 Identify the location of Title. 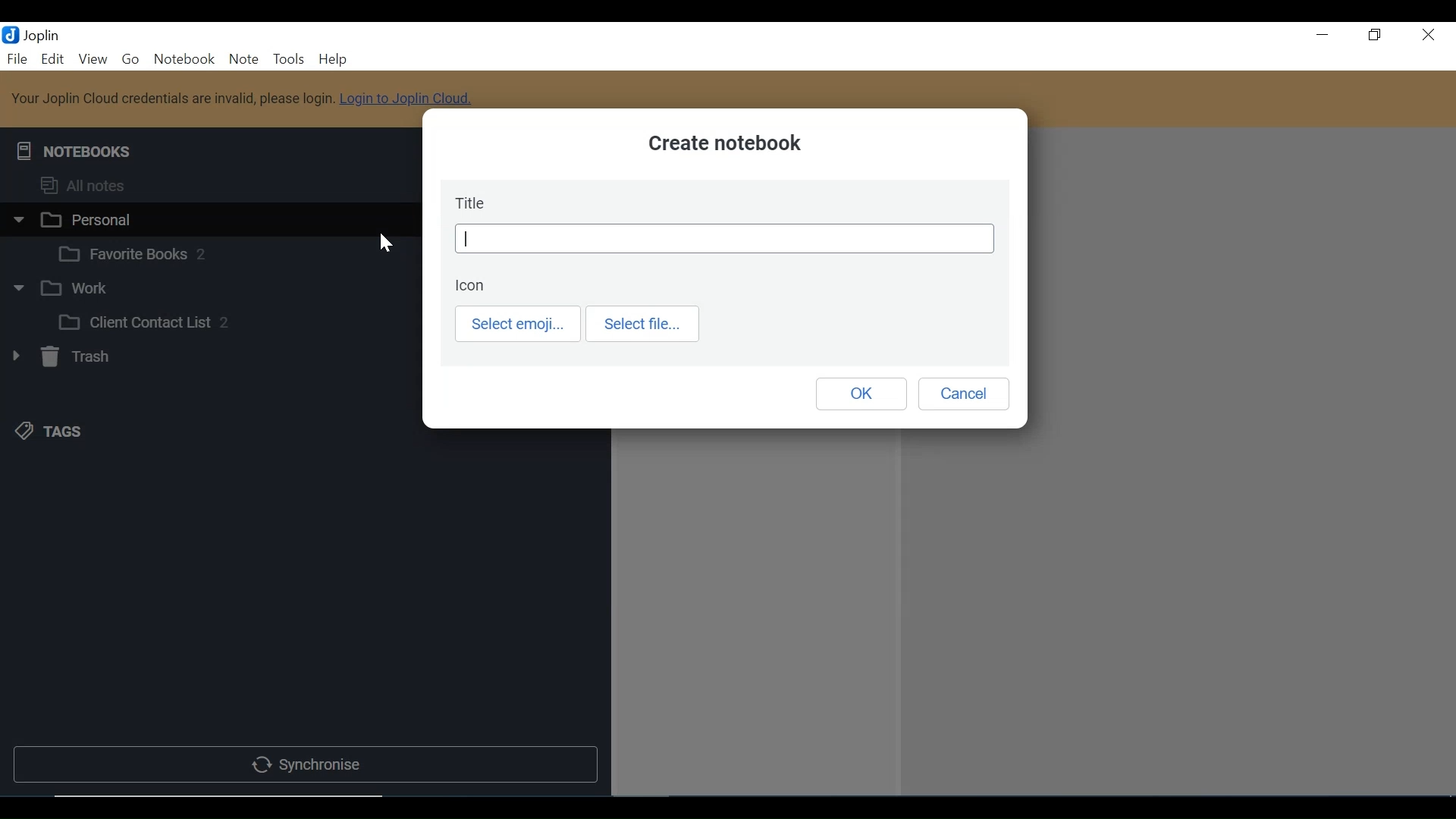
(472, 202).